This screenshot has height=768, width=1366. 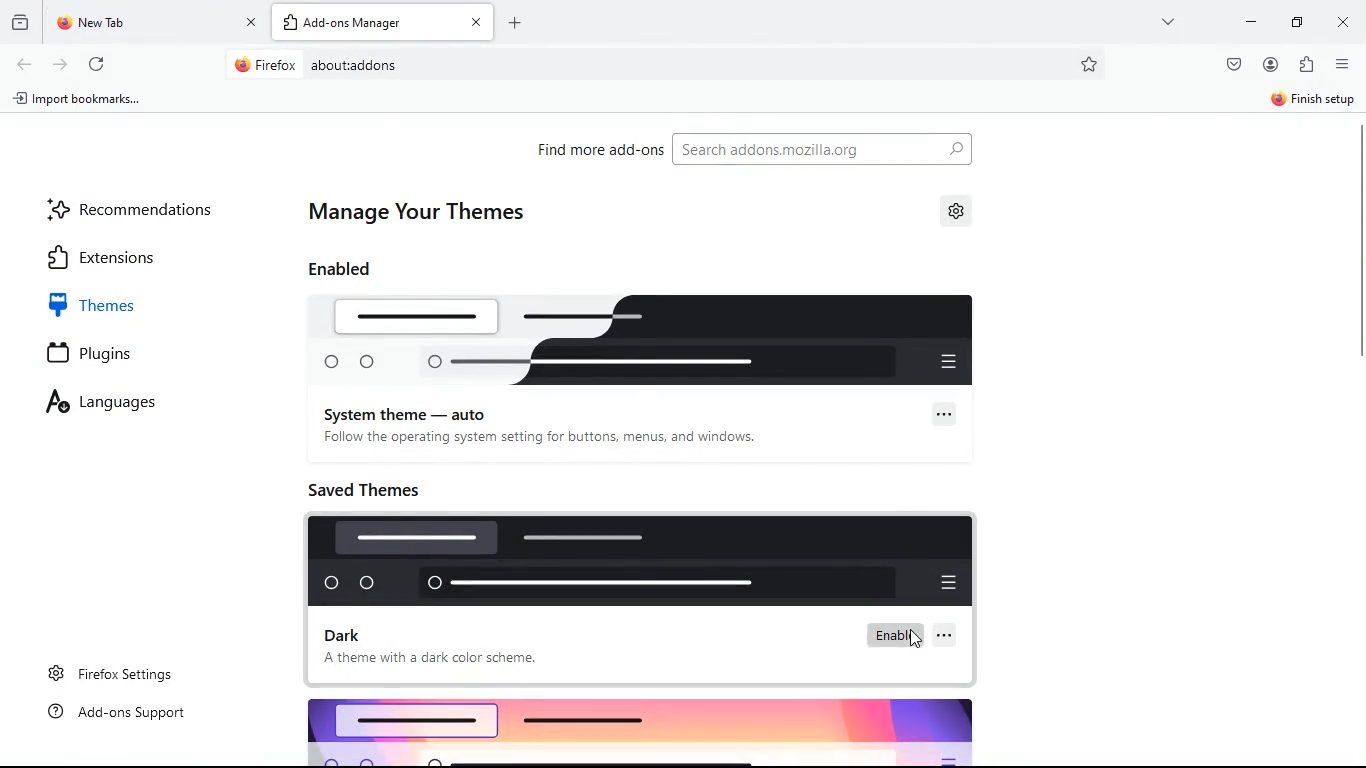 What do you see at coordinates (952, 640) in the screenshot?
I see `more` at bounding box center [952, 640].